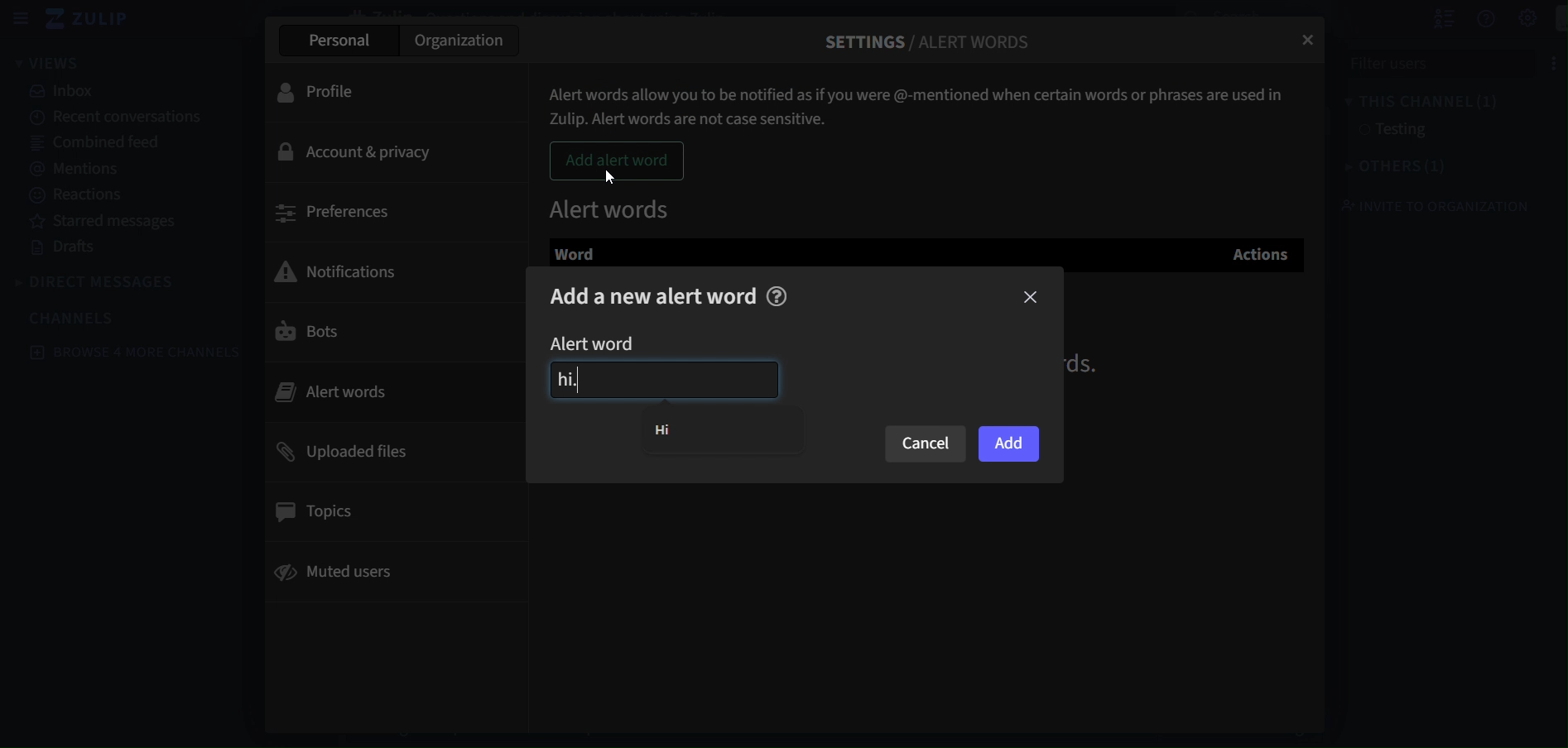 This screenshot has width=1568, height=748. I want to click on preferences, so click(335, 212).